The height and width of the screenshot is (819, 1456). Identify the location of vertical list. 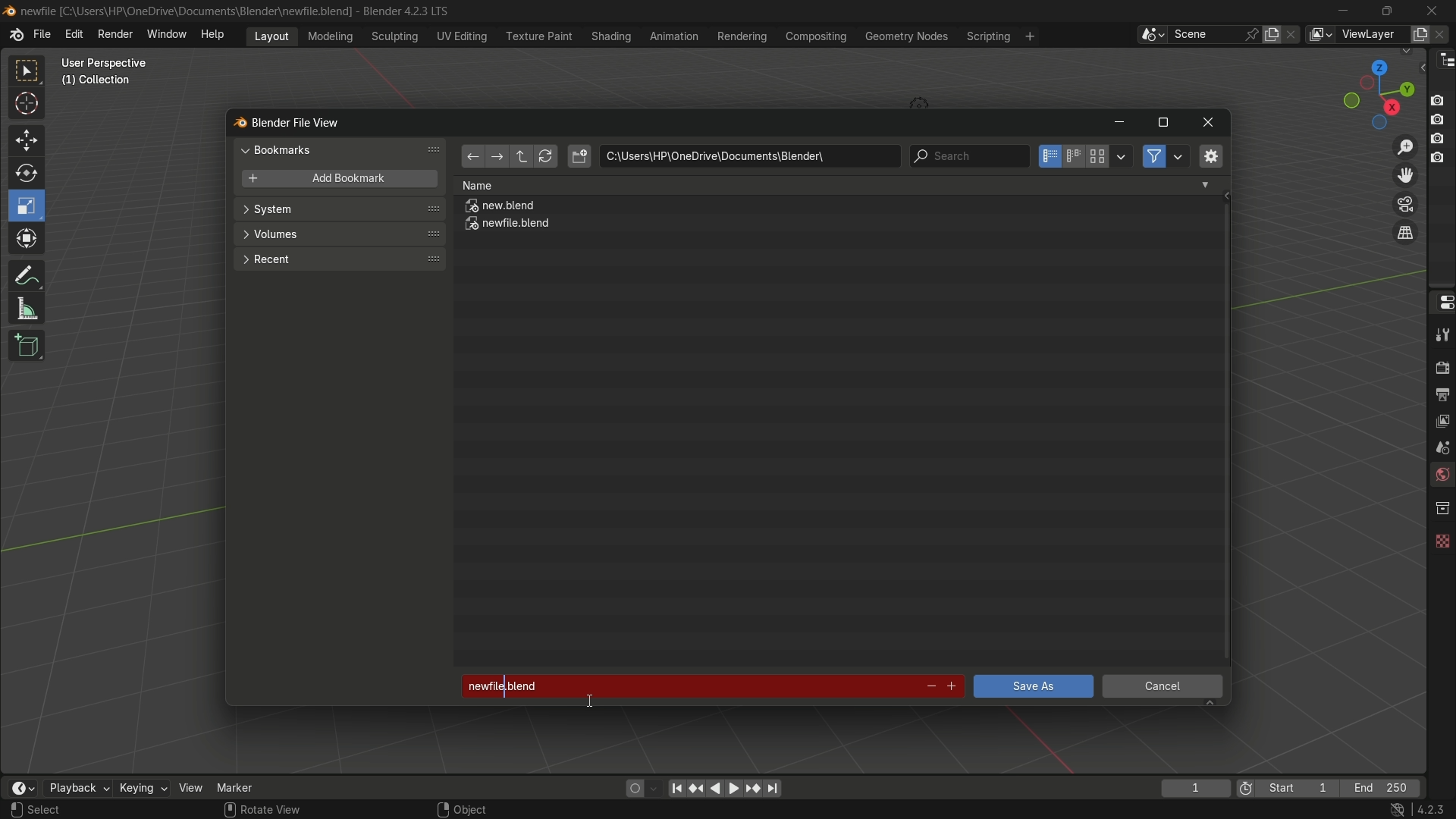
(1048, 156).